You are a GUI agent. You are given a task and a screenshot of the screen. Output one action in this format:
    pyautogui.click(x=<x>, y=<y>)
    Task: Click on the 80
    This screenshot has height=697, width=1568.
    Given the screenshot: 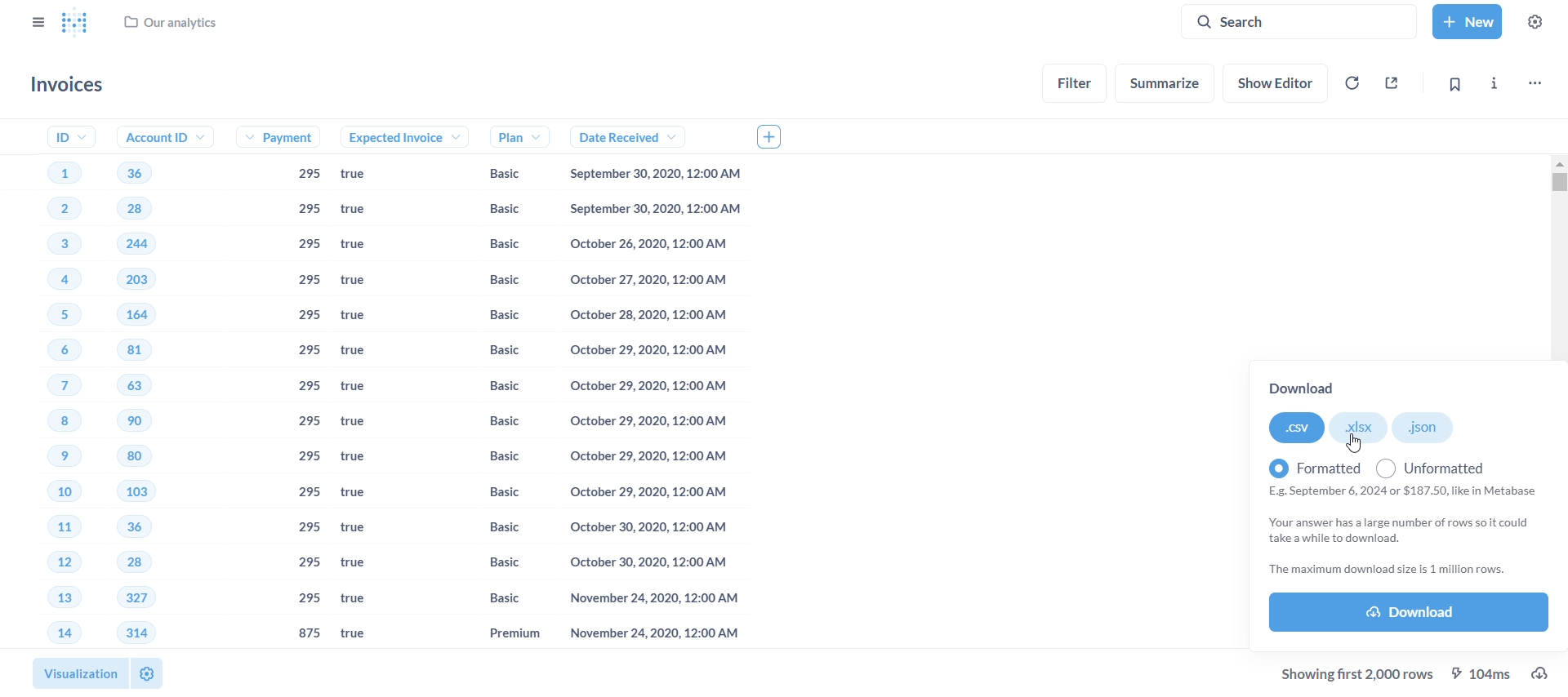 What is the action you would take?
    pyautogui.click(x=134, y=459)
    